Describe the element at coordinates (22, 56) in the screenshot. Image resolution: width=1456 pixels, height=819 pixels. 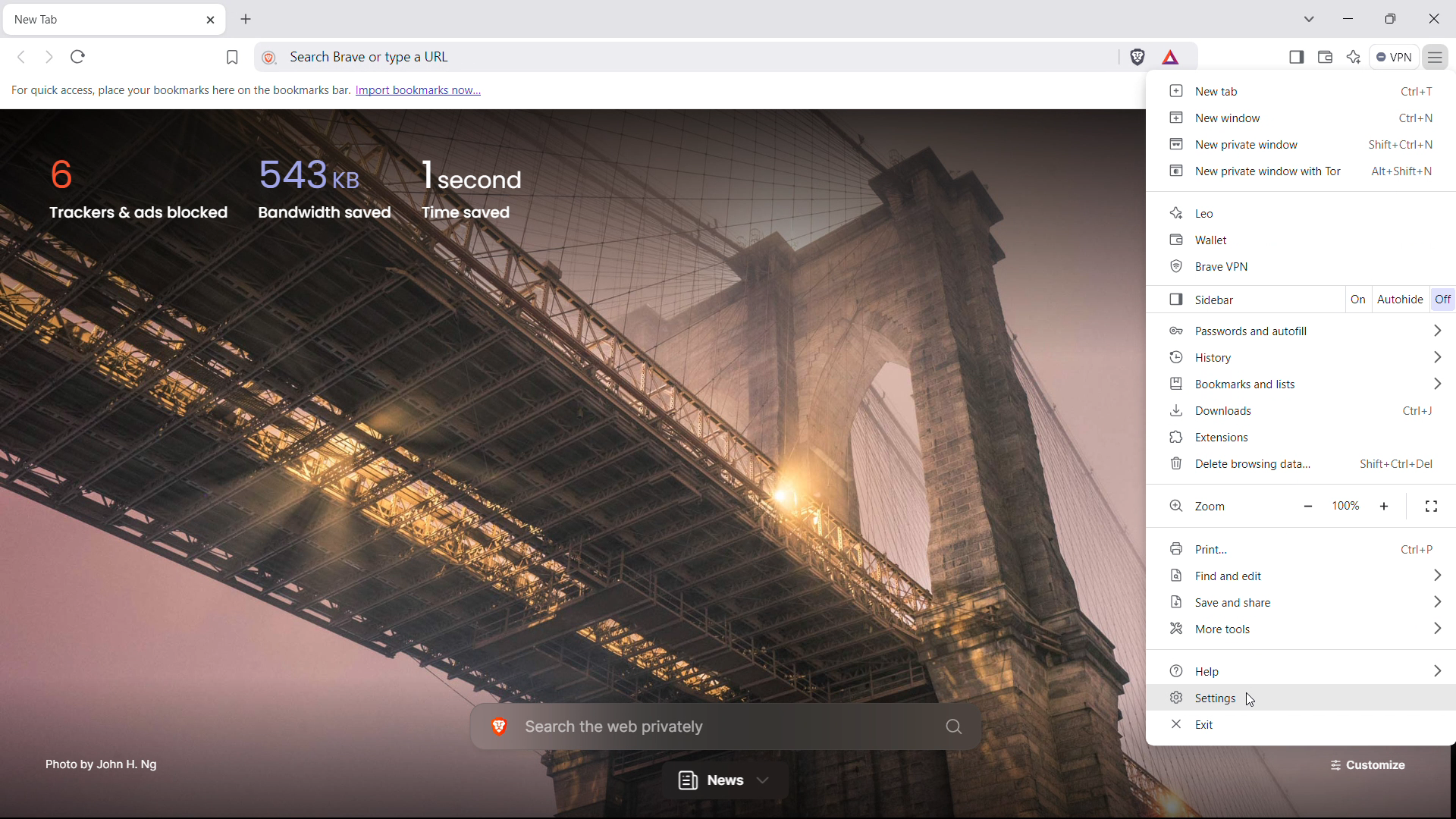
I see `click to go back hold to see history ` at that location.